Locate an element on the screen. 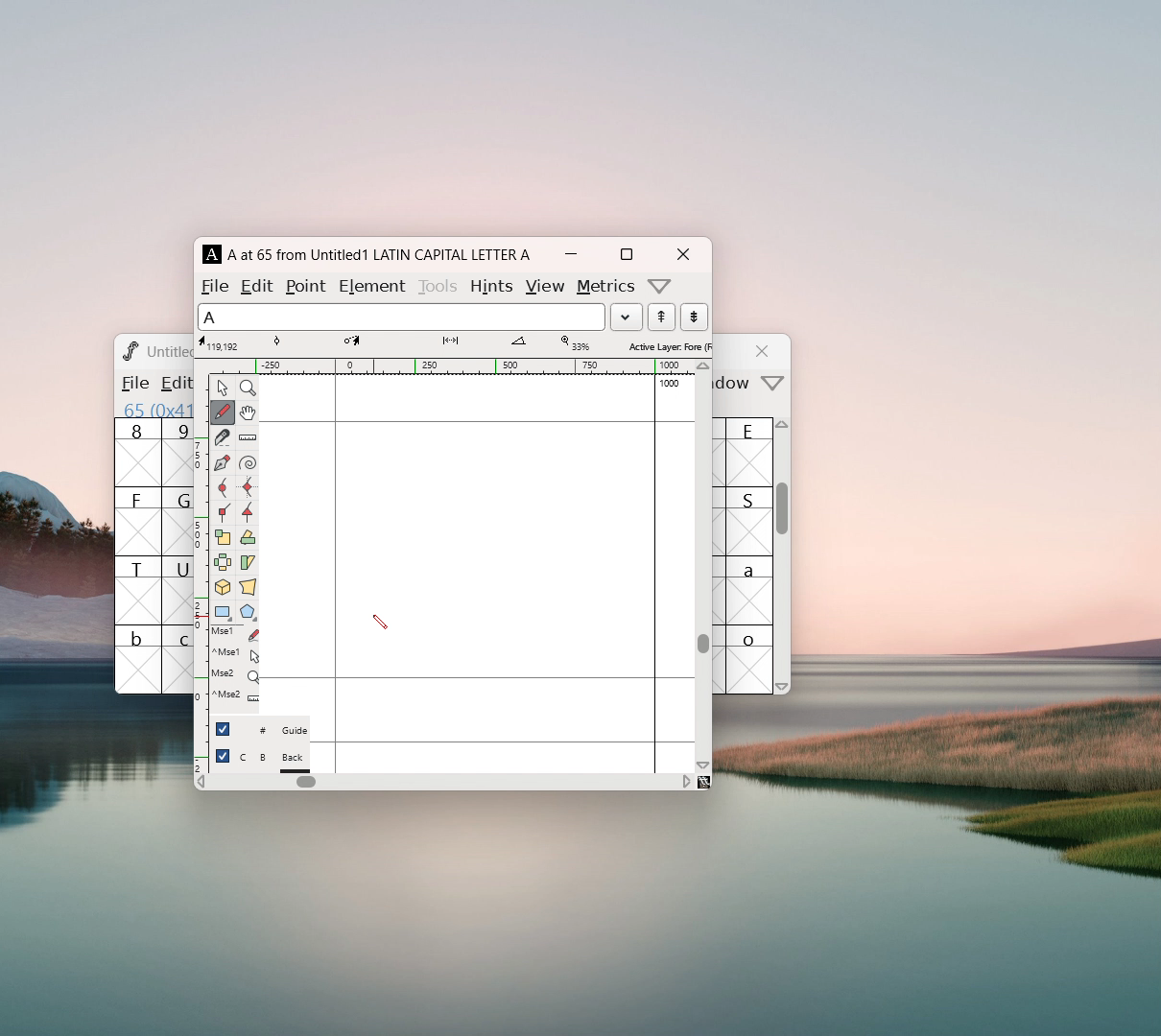 This screenshot has width=1161, height=1036. G is located at coordinates (177, 521).